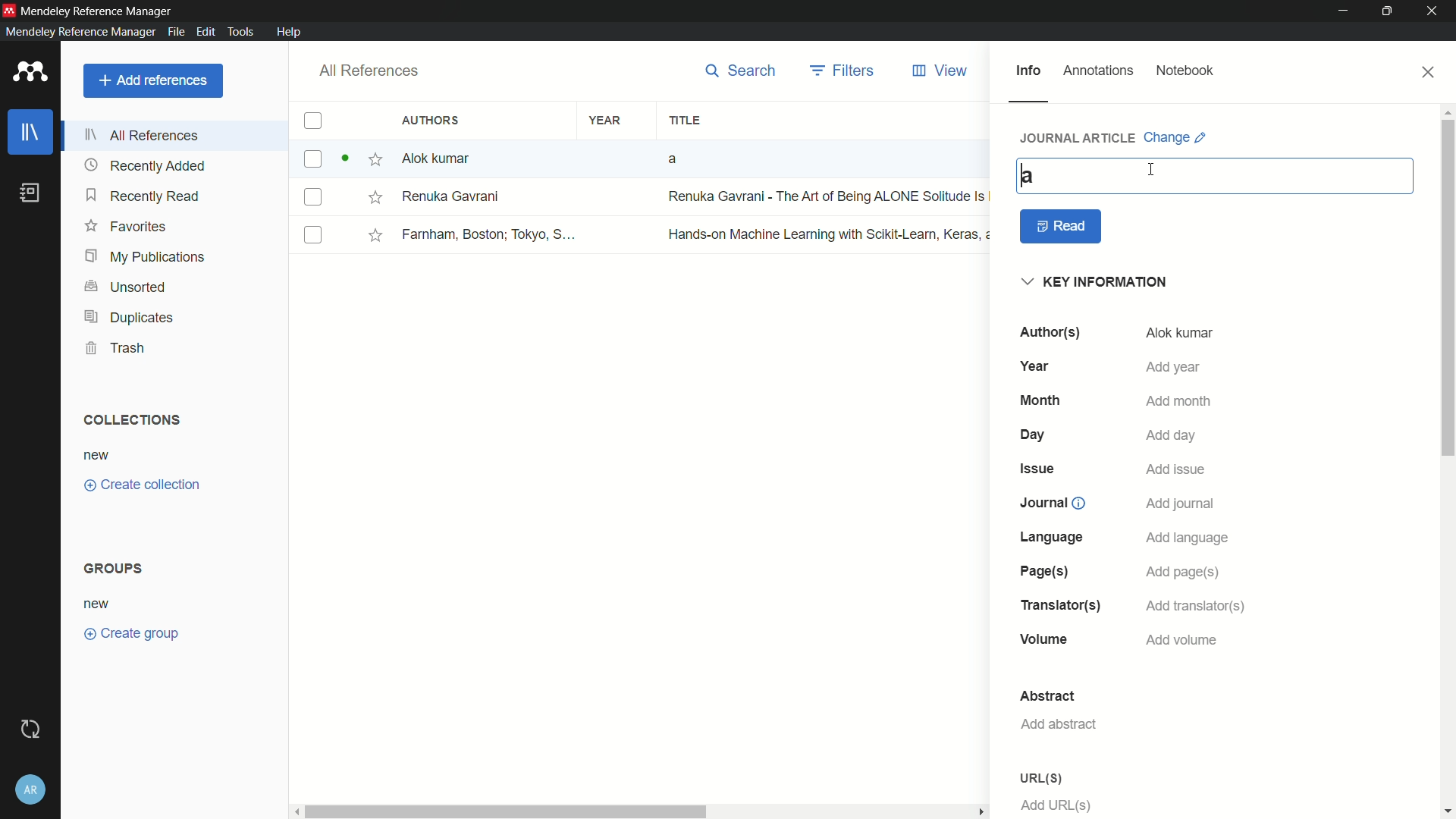 This screenshot has height=819, width=1456. I want to click on help menu, so click(288, 32).